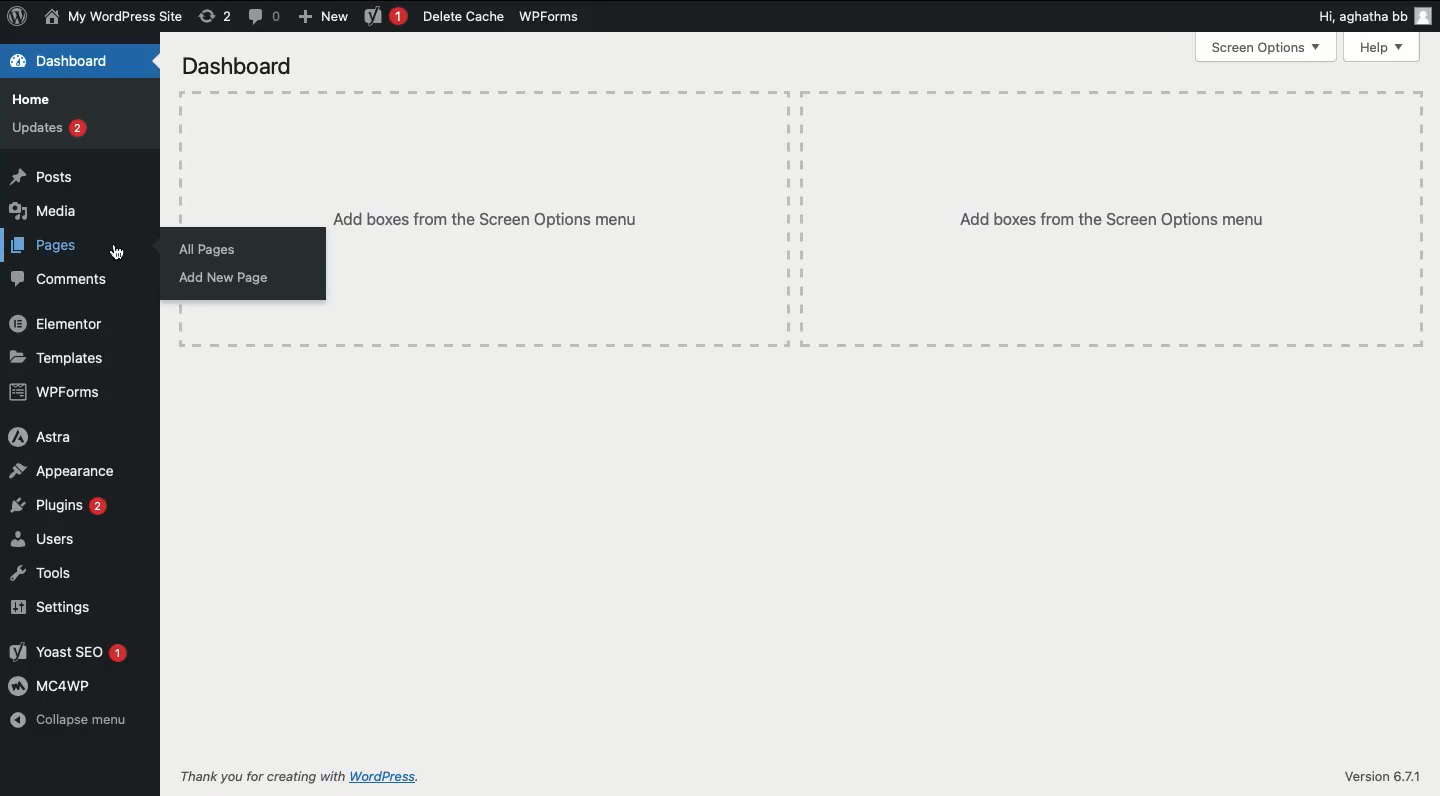  What do you see at coordinates (19, 15) in the screenshot?
I see `Logo` at bounding box center [19, 15].